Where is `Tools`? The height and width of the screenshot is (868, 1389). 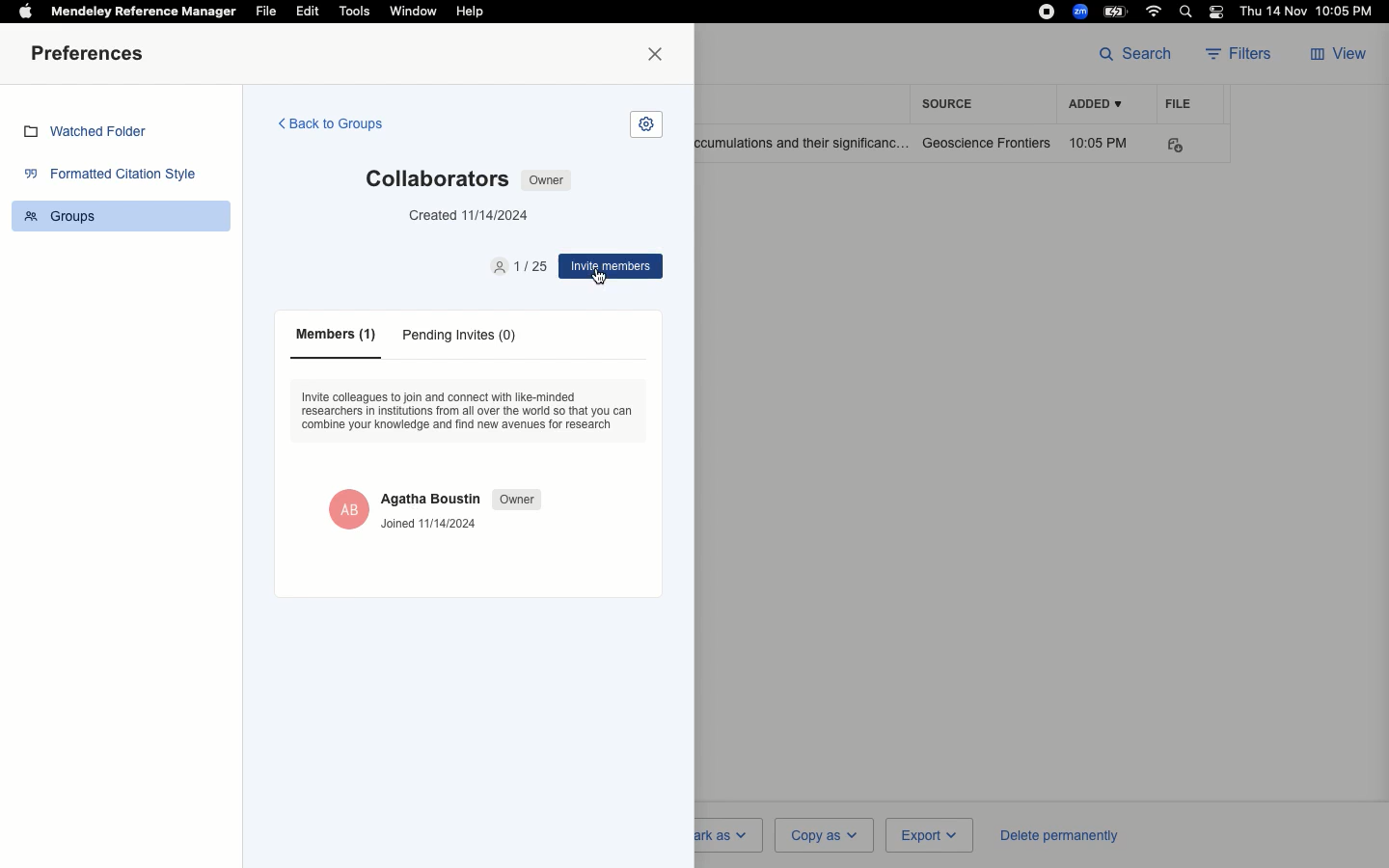 Tools is located at coordinates (355, 12).